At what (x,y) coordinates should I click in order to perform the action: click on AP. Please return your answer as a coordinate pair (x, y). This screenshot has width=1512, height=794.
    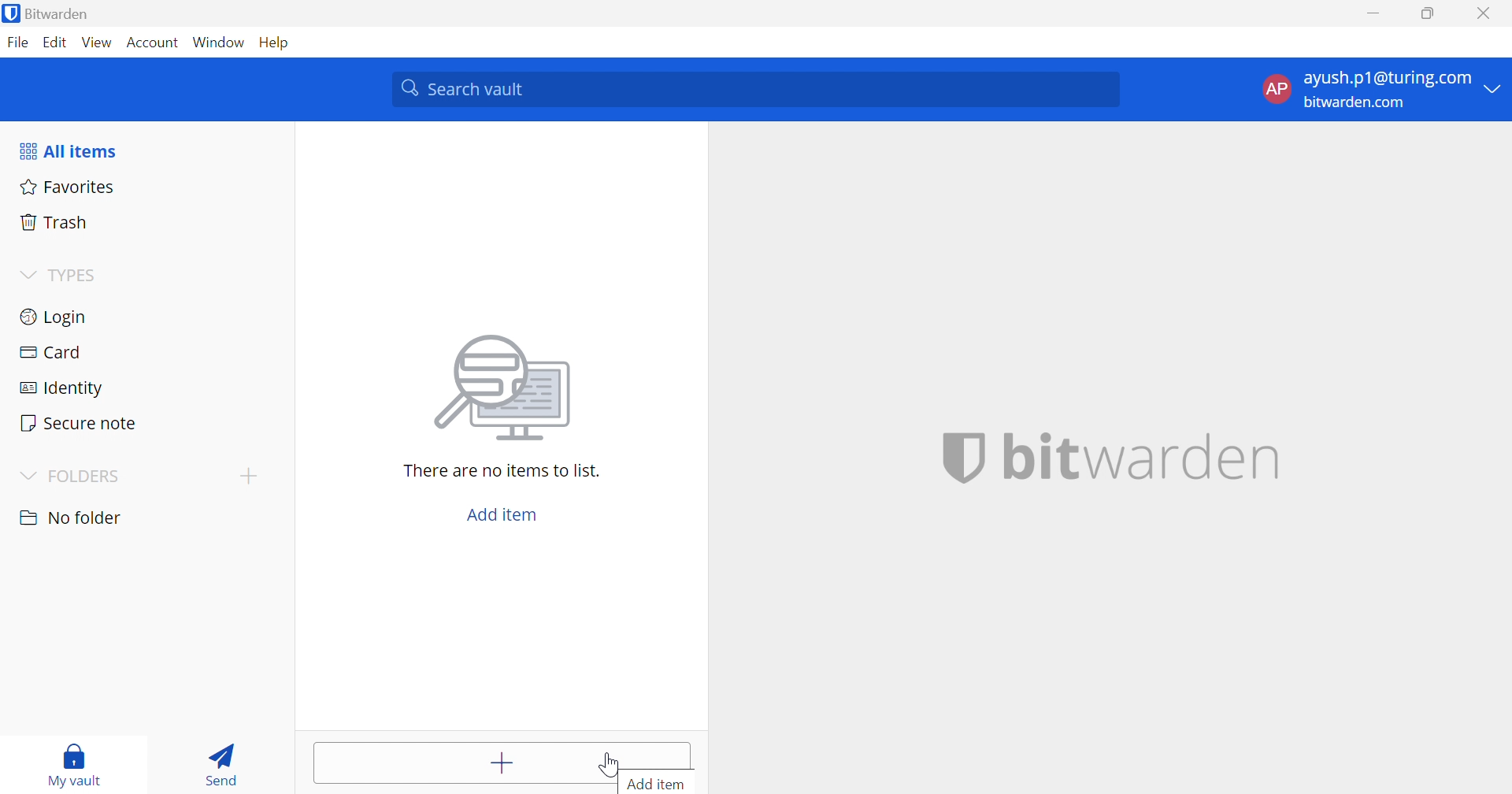
    Looking at the image, I should click on (1277, 88).